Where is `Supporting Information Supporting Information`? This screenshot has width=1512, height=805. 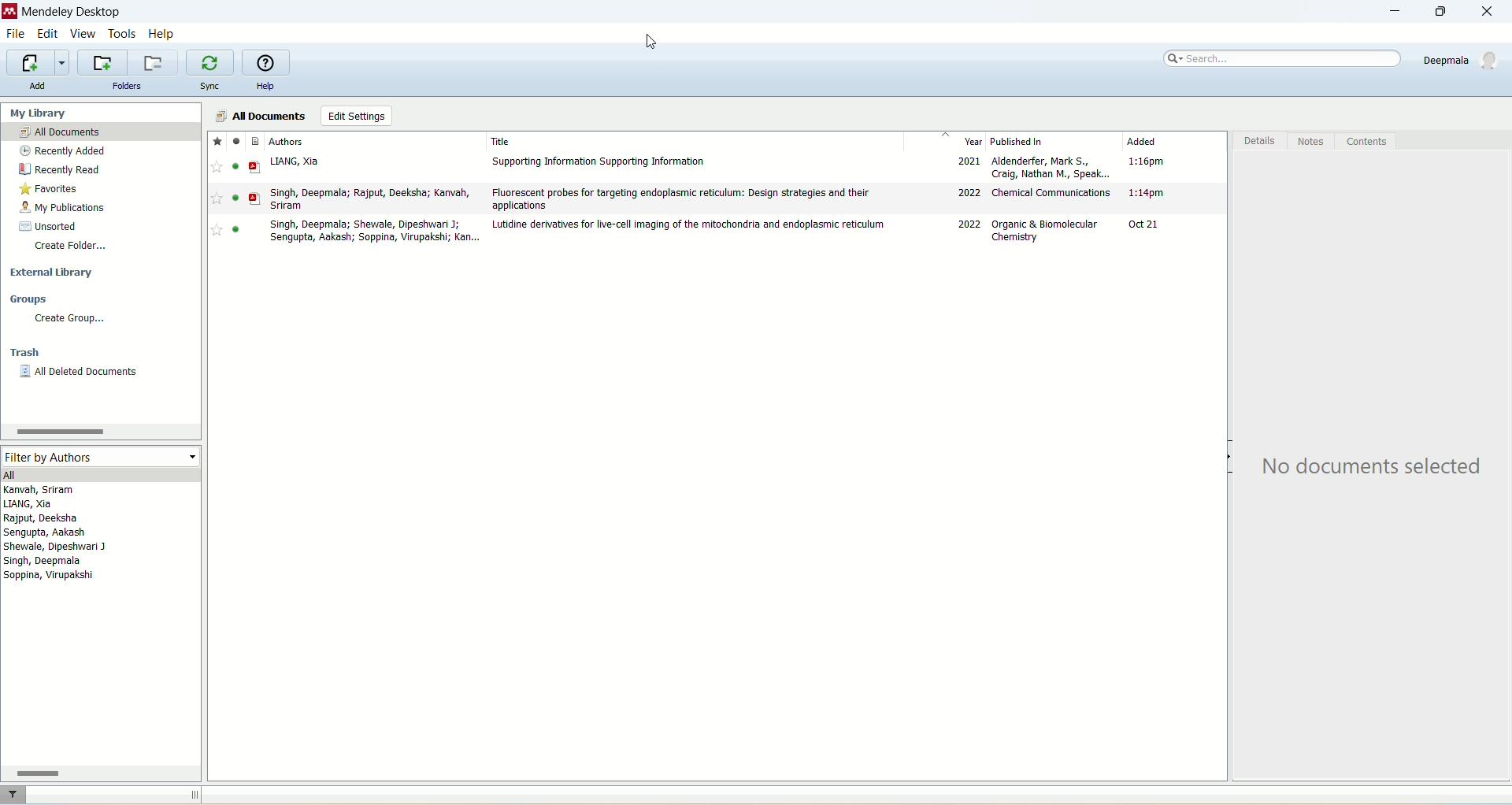
Supporting Information Supporting Information is located at coordinates (599, 165).